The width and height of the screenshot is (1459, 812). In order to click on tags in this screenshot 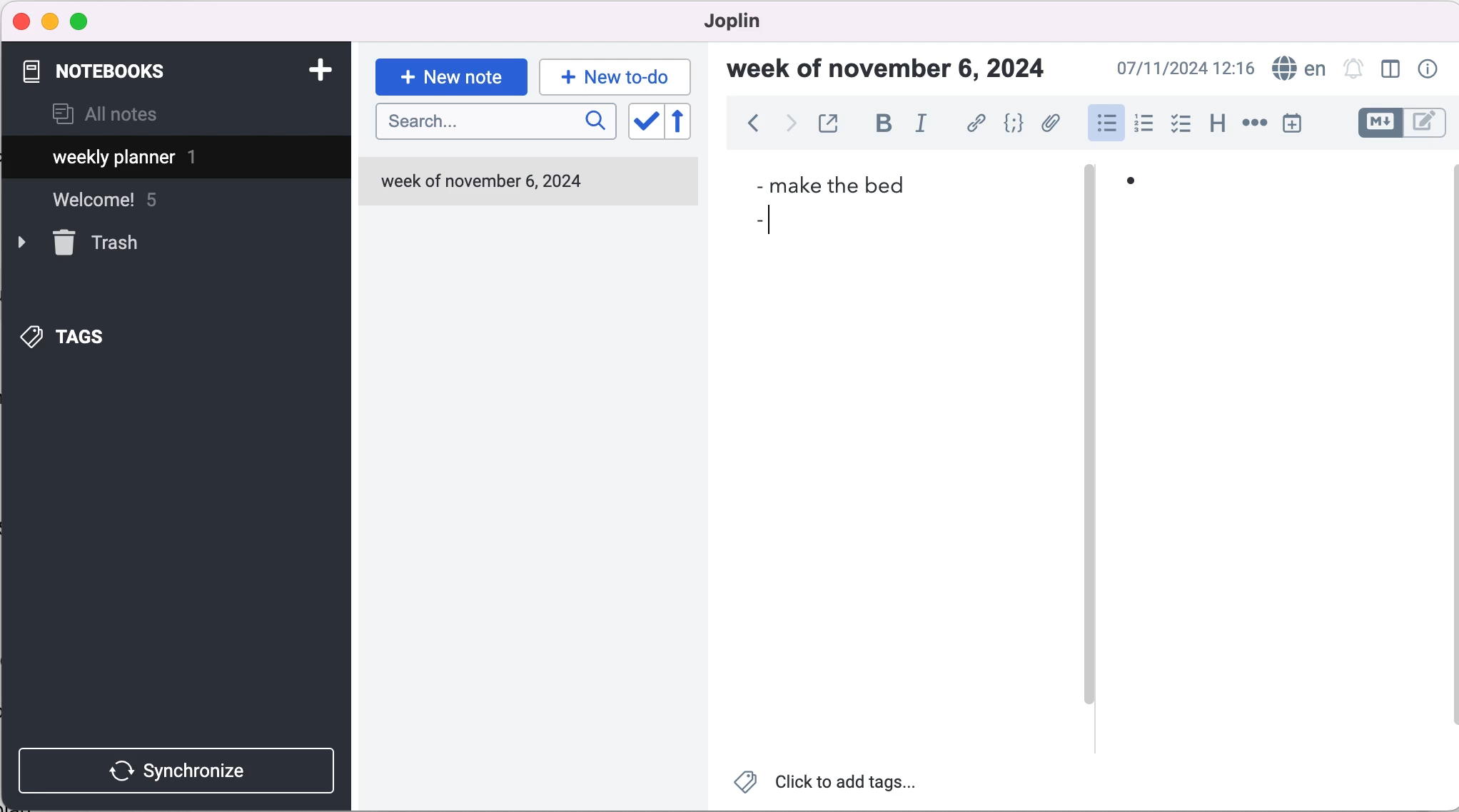, I will do `click(86, 333)`.